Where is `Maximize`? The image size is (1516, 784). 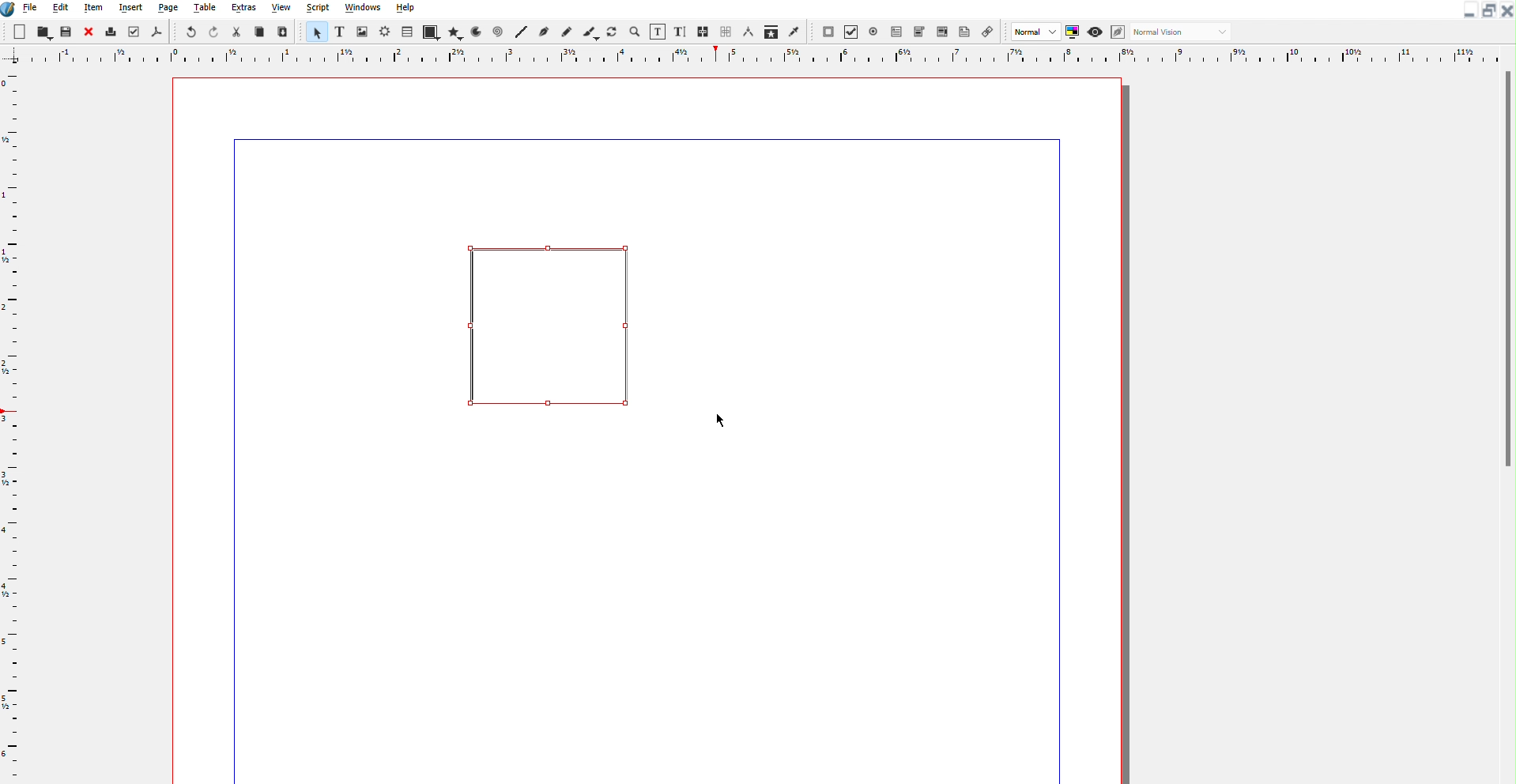 Maximize is located at coordinates (1486, 10).